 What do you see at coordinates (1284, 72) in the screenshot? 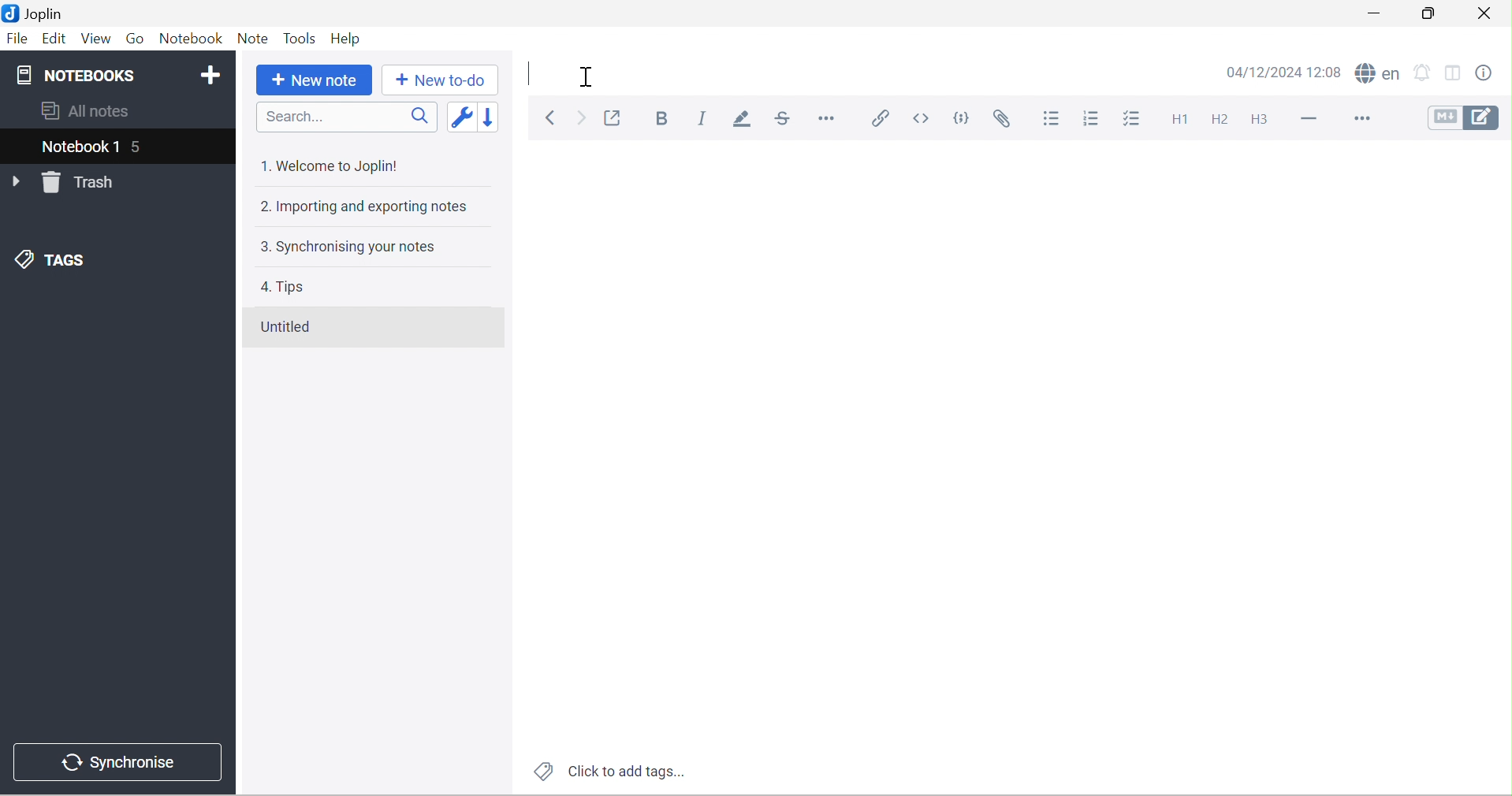
I see `04/12/2024 12:08` at bounding box center [1284, 72].